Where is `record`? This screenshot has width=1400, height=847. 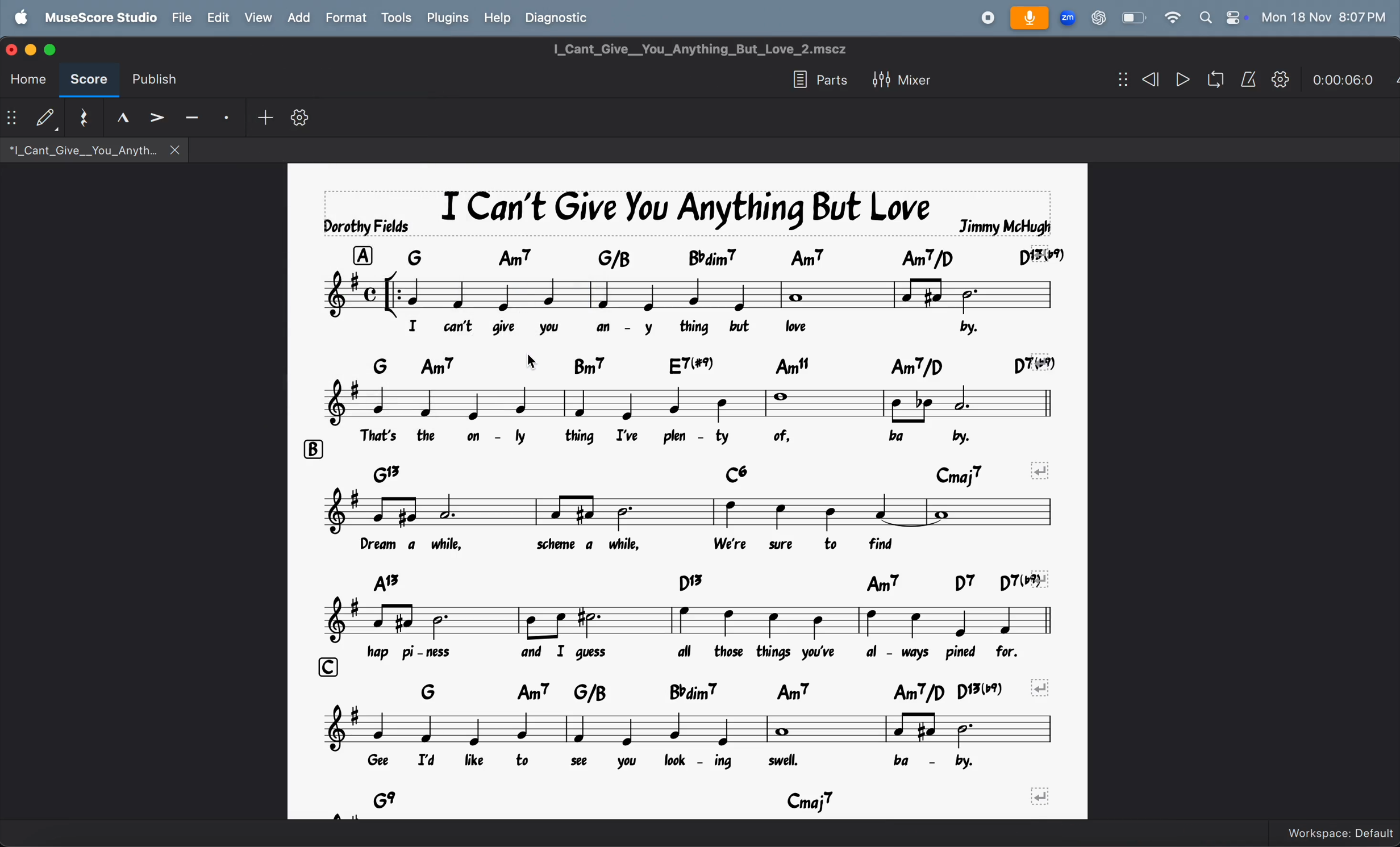 record is located at coordinates (985, 17).